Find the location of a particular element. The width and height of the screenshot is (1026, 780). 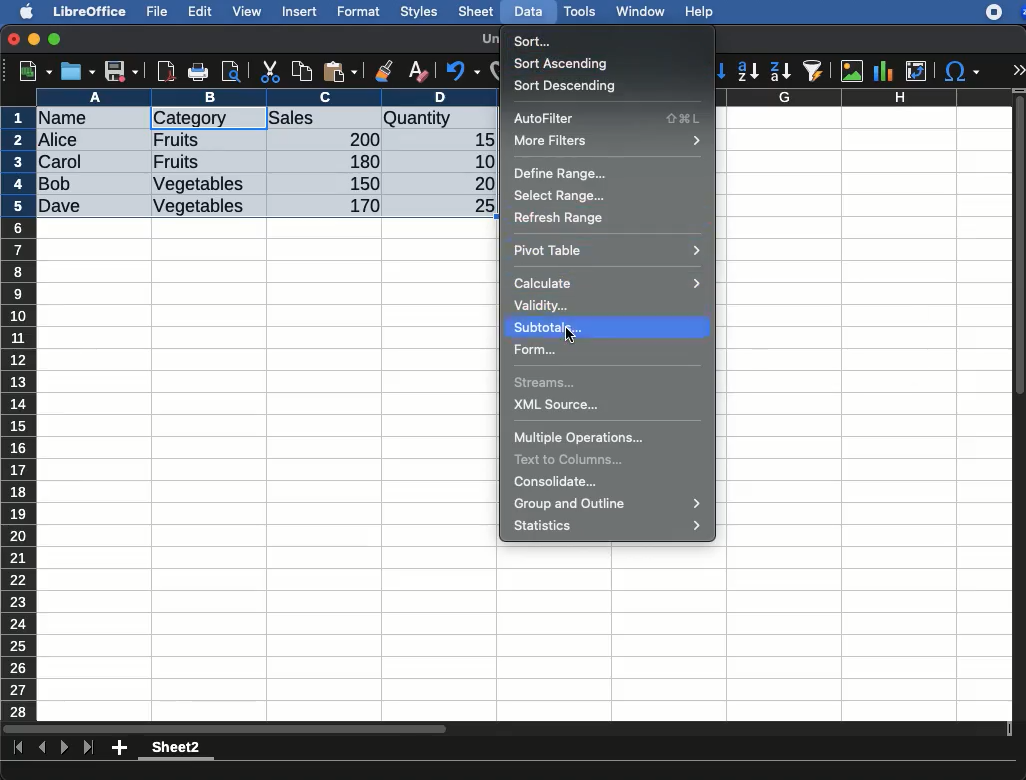

special characters is located at coordinates (960, 71).